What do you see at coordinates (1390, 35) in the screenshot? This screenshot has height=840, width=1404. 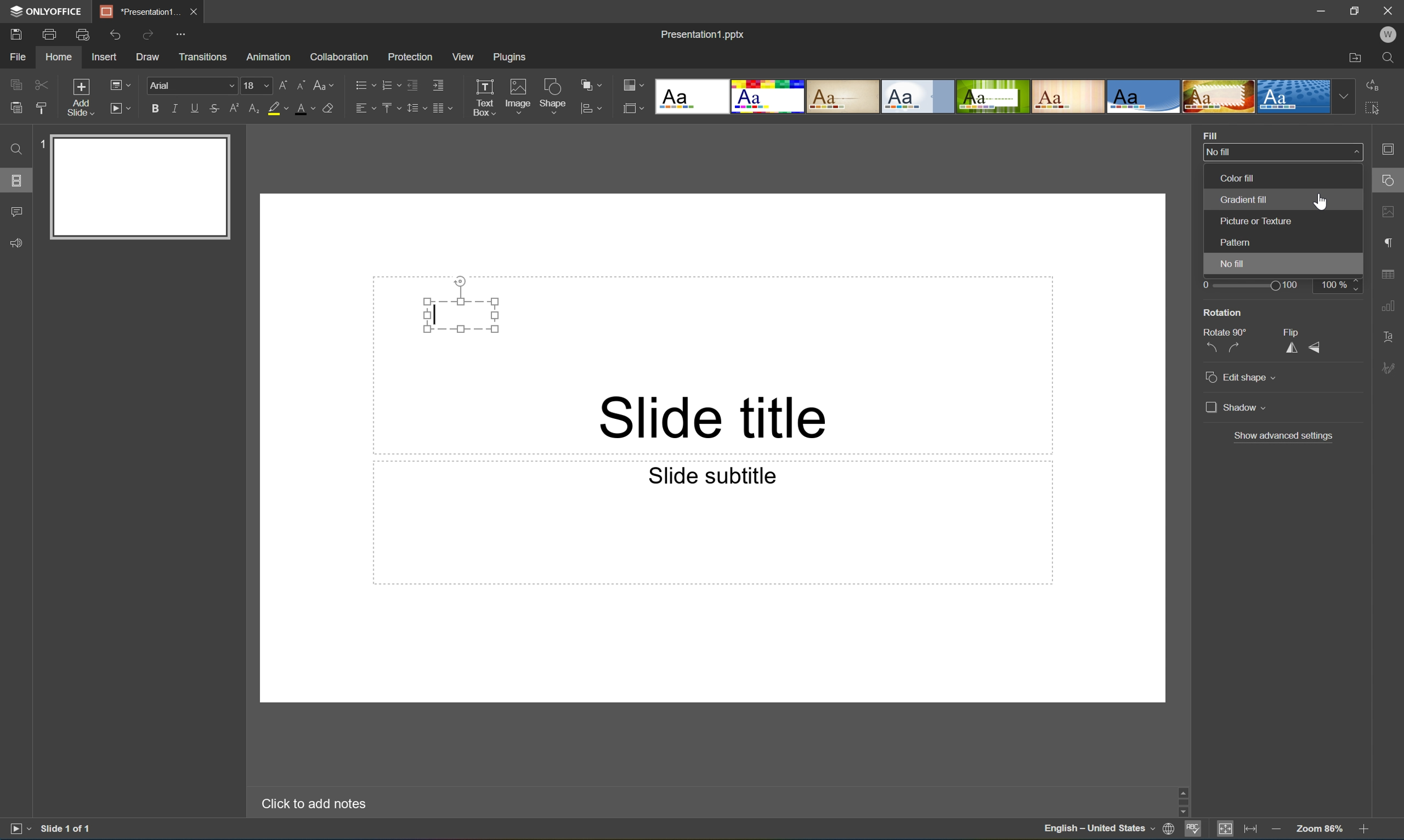 I see `W` at bounding box center [1390, 35].